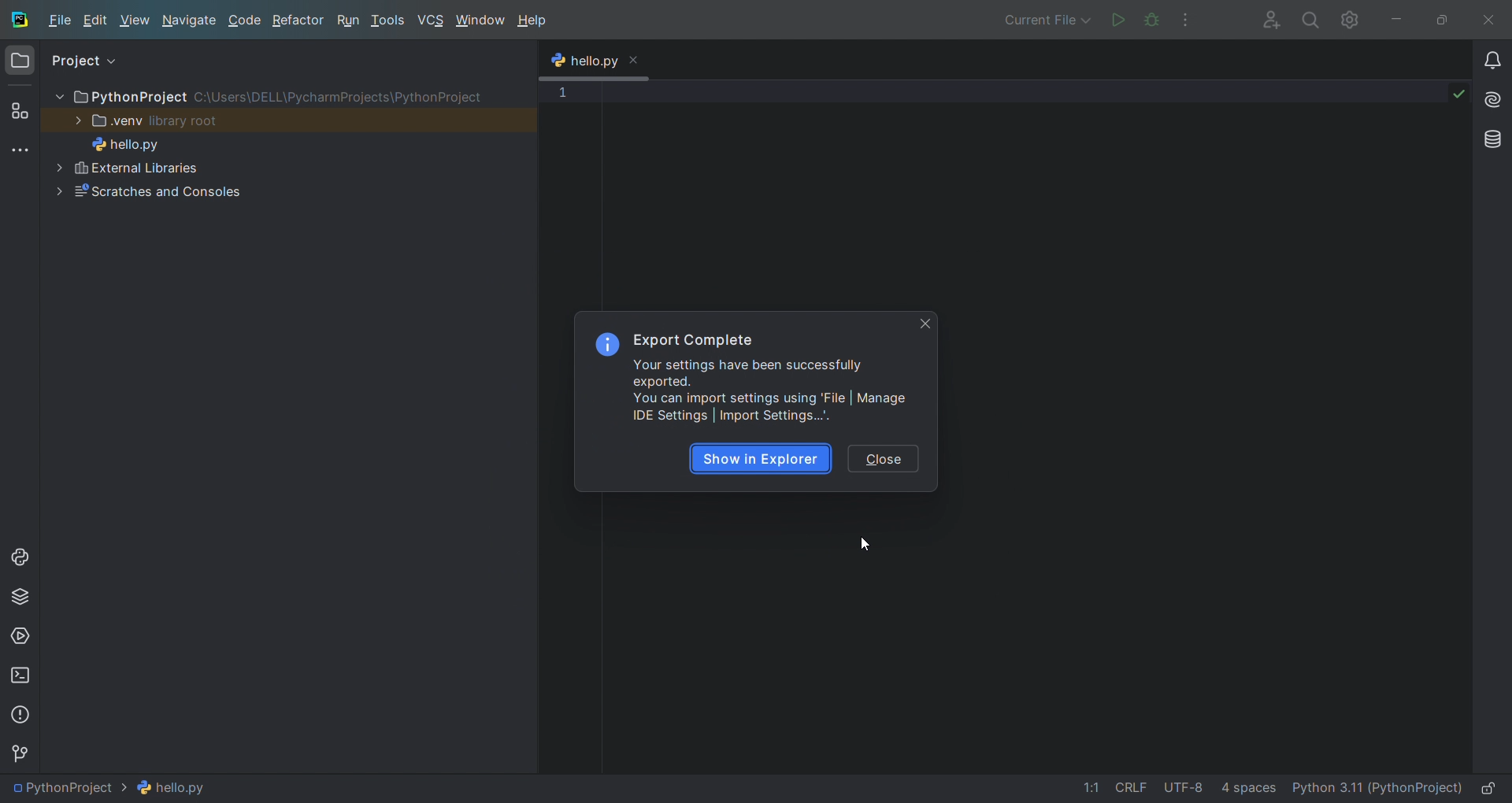  Describe the element at coordinates (266, 96) in the screenshot. I see `PythonProject along its path` at that location.